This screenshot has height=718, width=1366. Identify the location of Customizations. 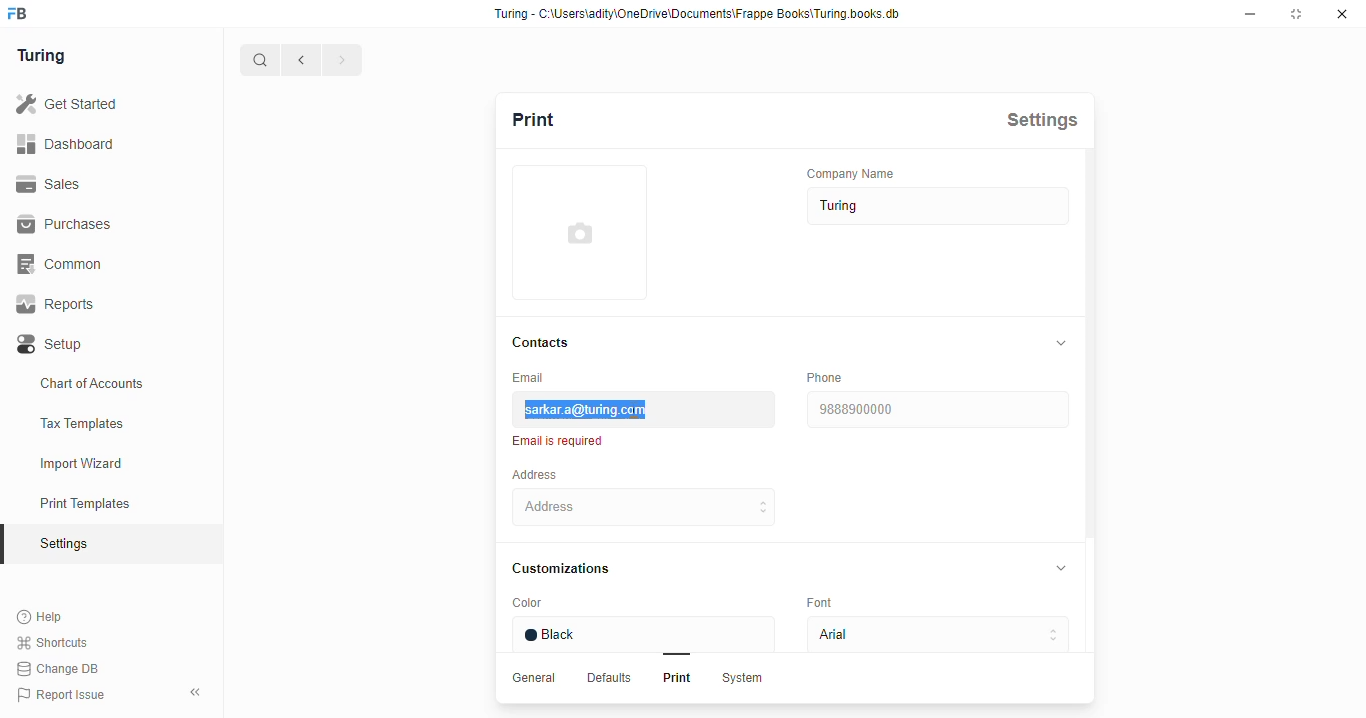
(571, 568).